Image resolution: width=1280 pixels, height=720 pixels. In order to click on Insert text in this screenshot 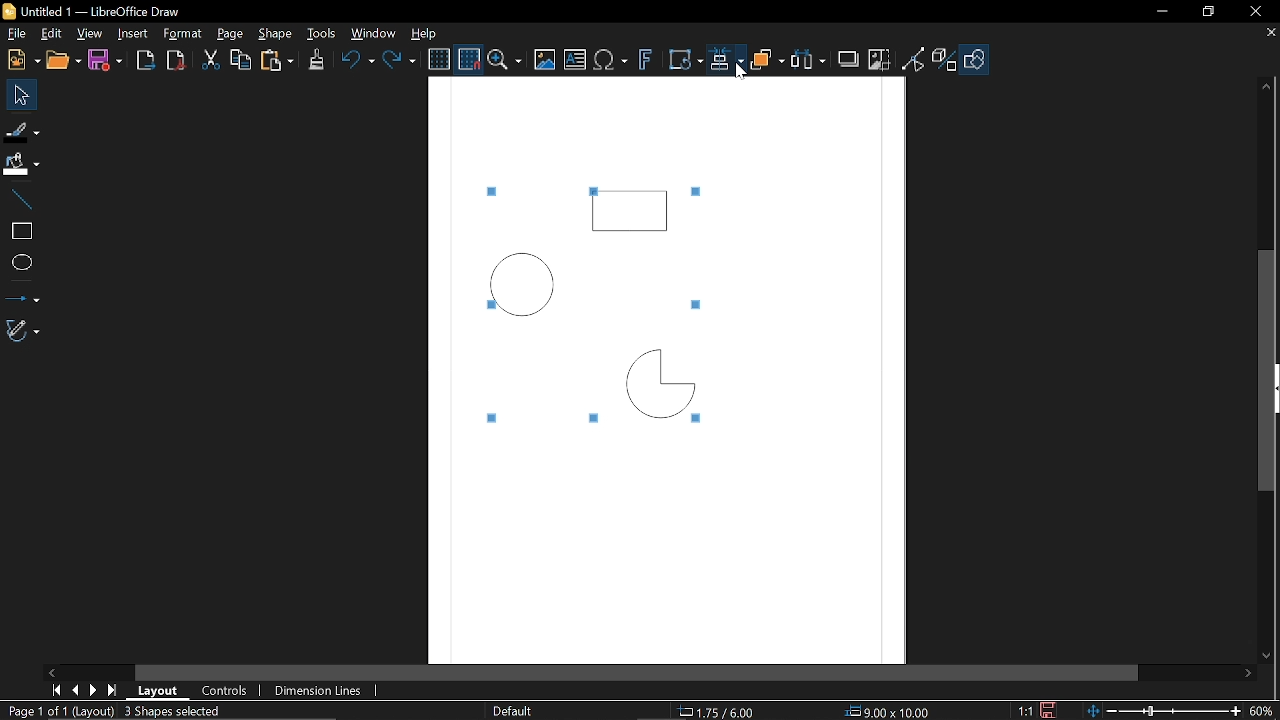, I will do `click(611, 61)`.